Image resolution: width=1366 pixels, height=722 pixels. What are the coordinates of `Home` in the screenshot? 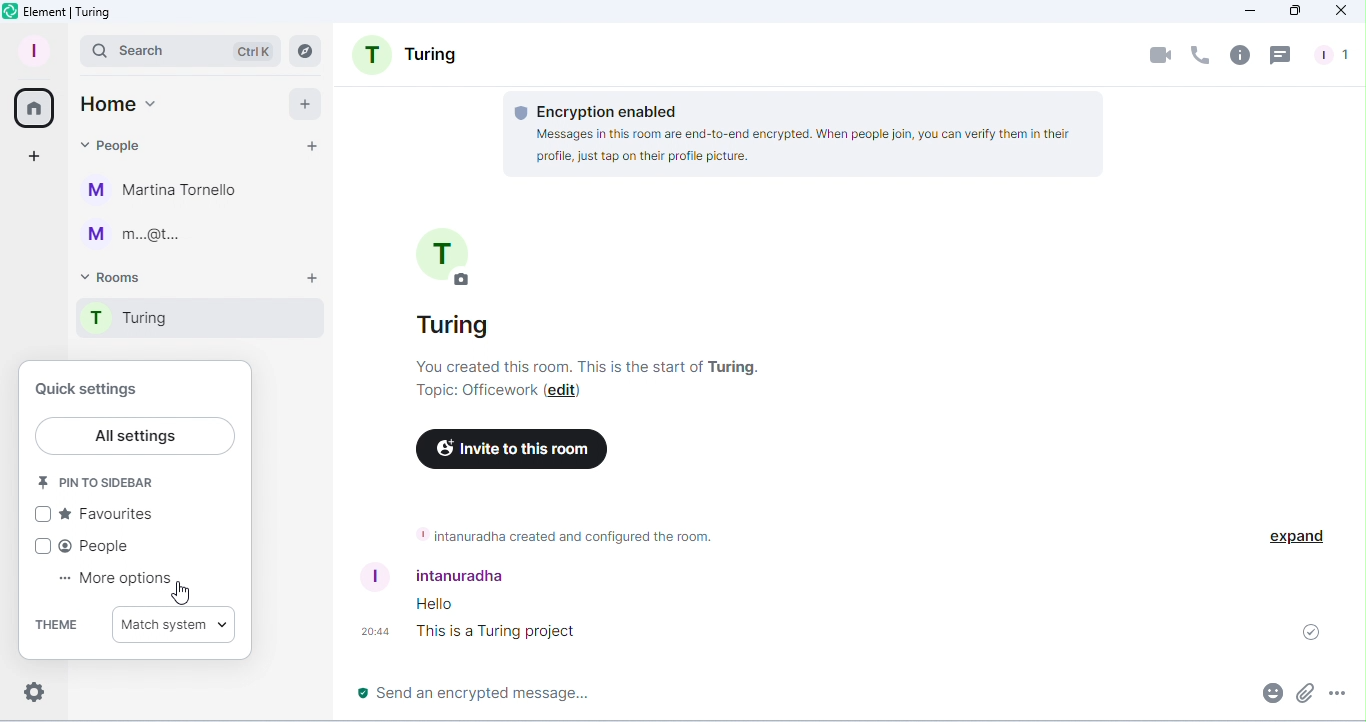 It's located at (118, 107).